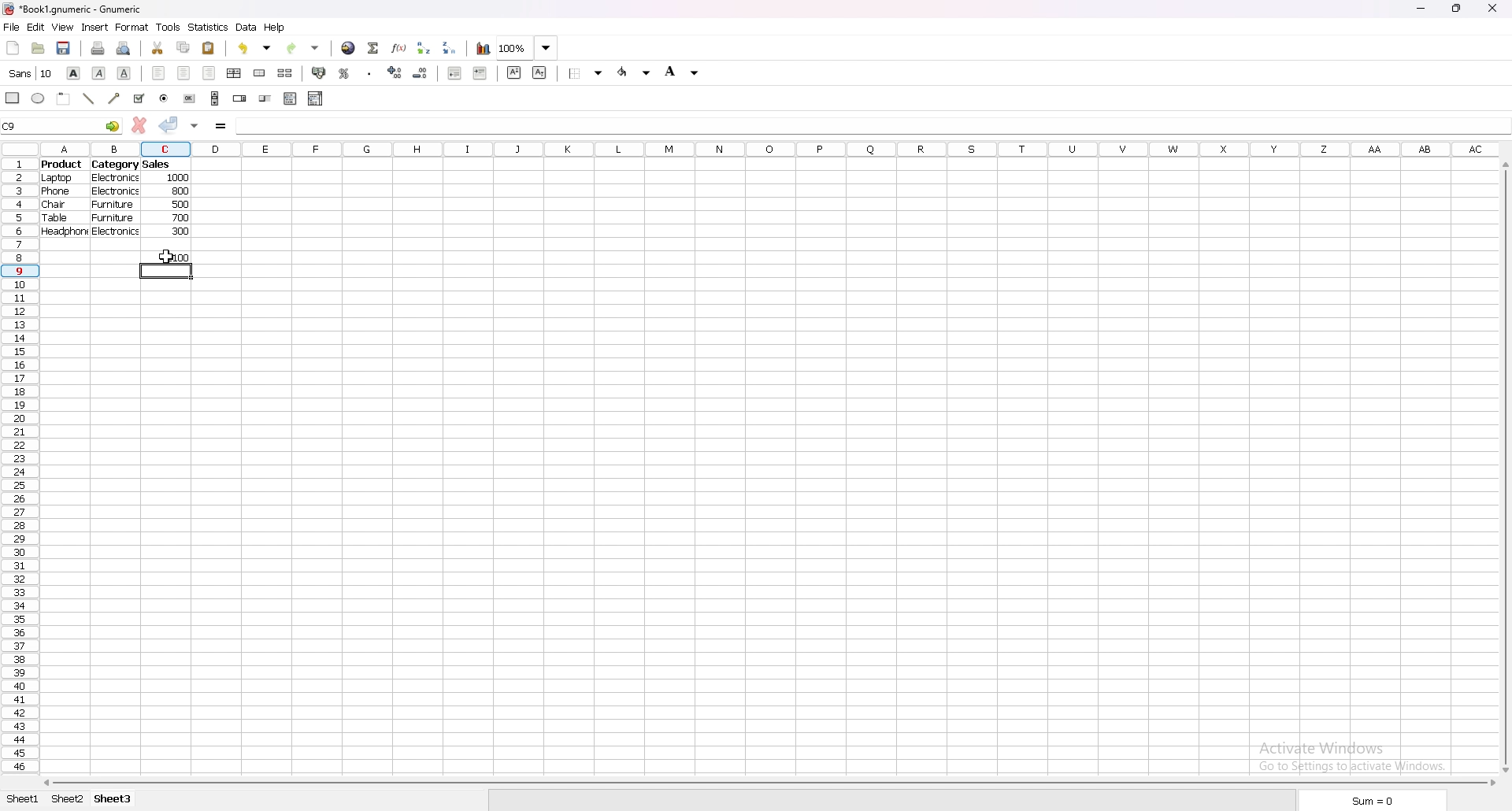  What do you see at coordinates (116, 177) in the screenshot?
I see `electronics` at bounding box center [116, 177].